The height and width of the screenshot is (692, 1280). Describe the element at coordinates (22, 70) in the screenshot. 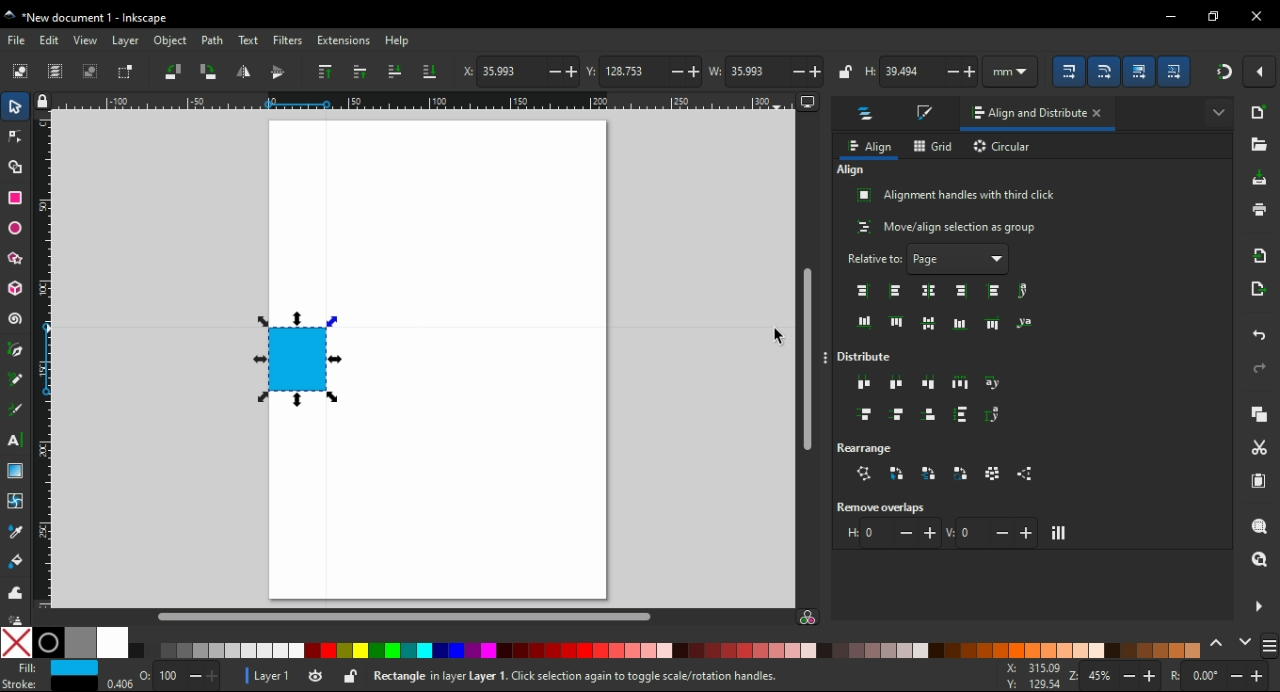

I see `select` at that location.